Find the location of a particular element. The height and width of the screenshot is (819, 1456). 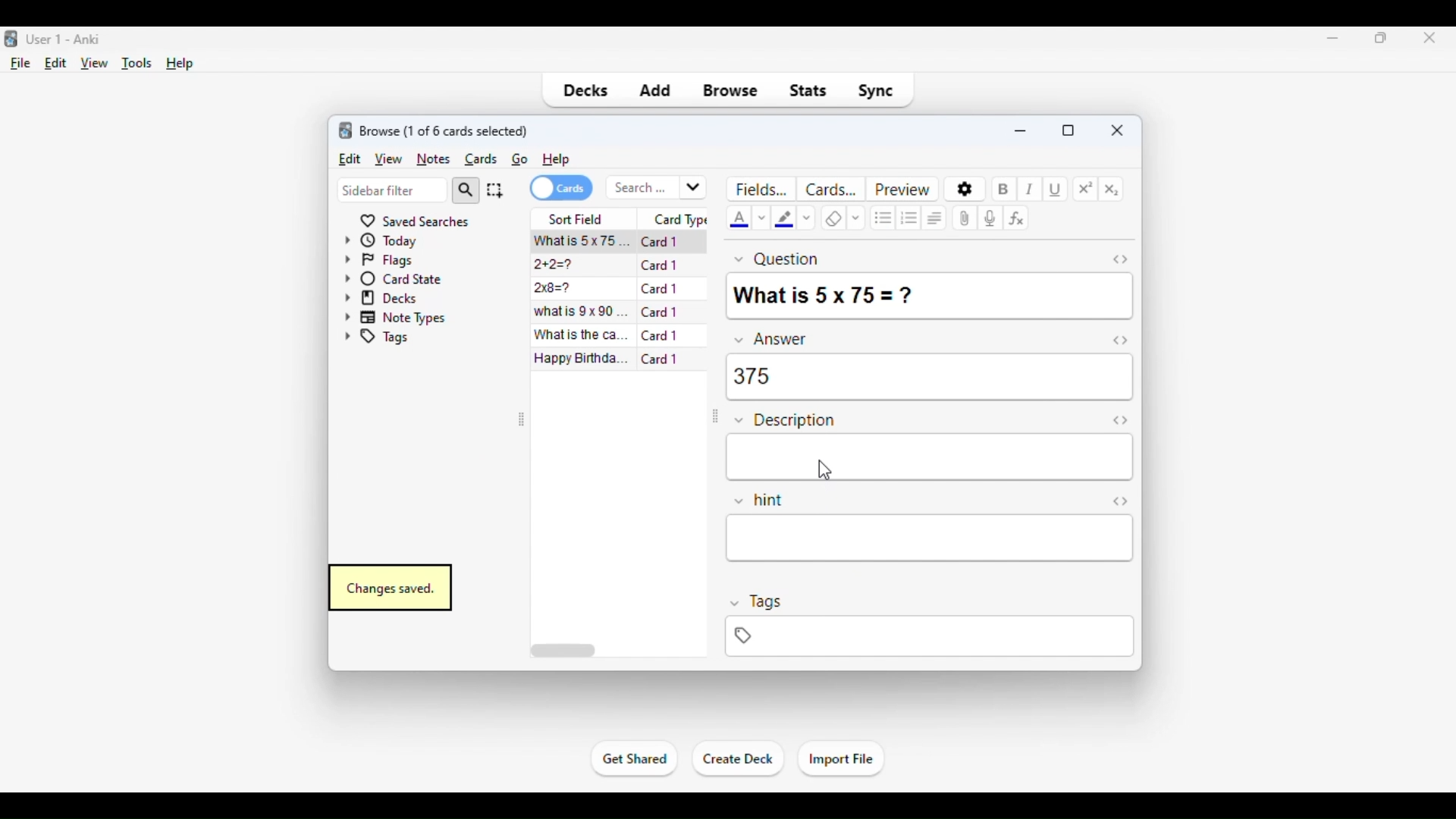

question is located at coordinates (778, 260).